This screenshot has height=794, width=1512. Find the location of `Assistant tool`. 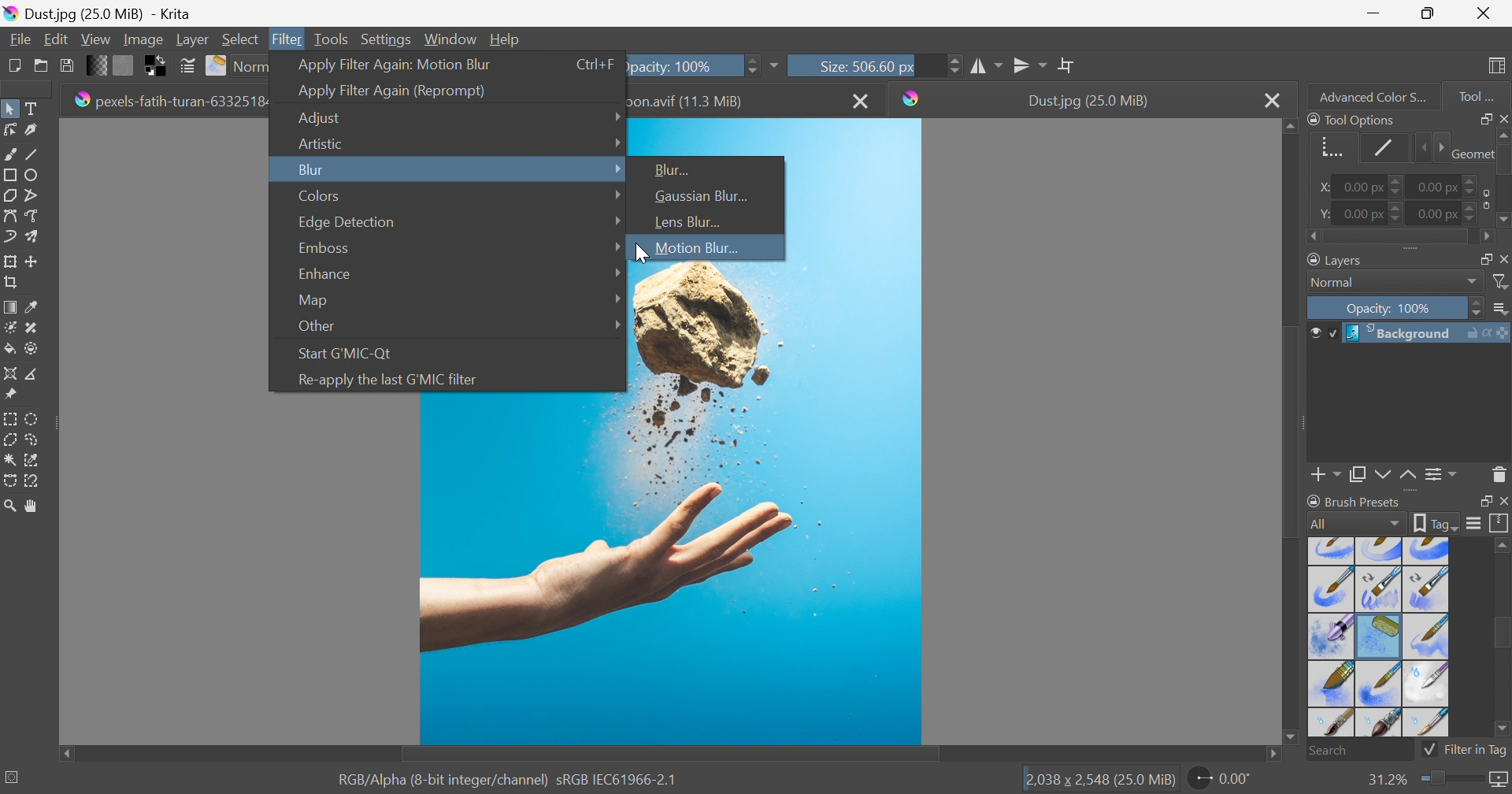

Assistant tool is located at coordinates (9, 372).